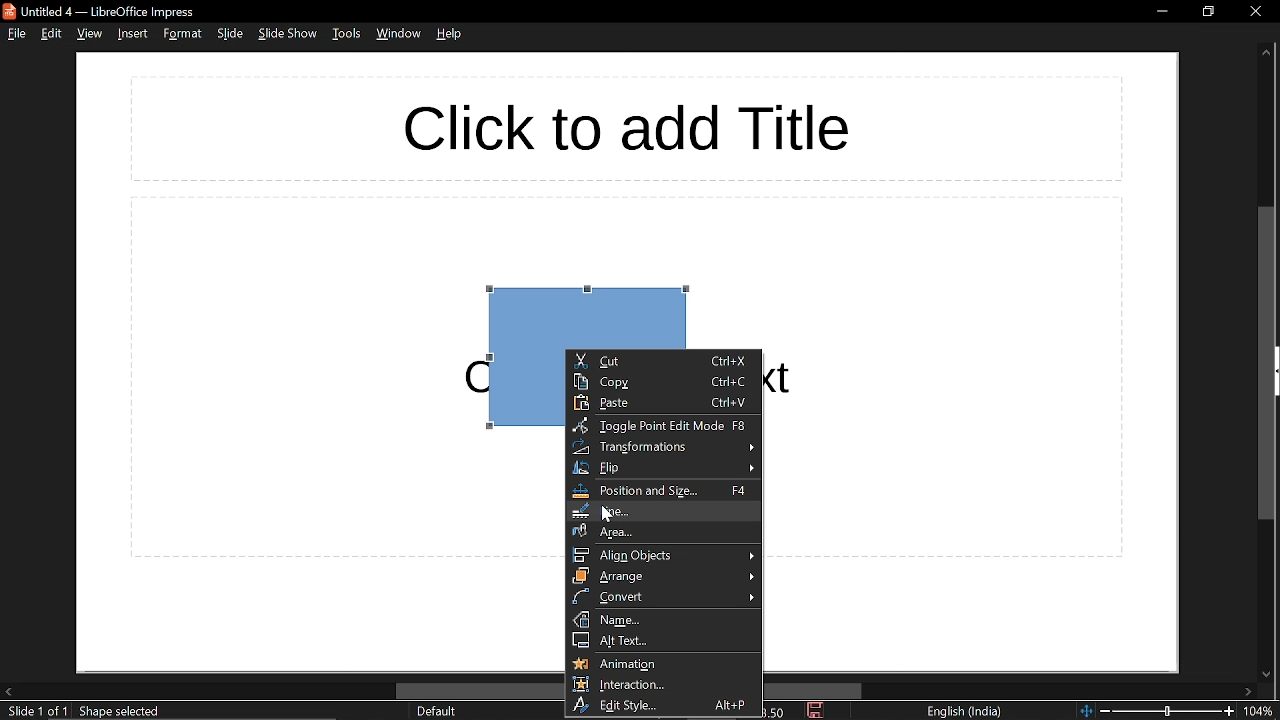 This screenshot has height=720, width=1280. What do you see at coordinates (348, 35) in the screenshot?
I see `tools` at bounding box center [348, 35].